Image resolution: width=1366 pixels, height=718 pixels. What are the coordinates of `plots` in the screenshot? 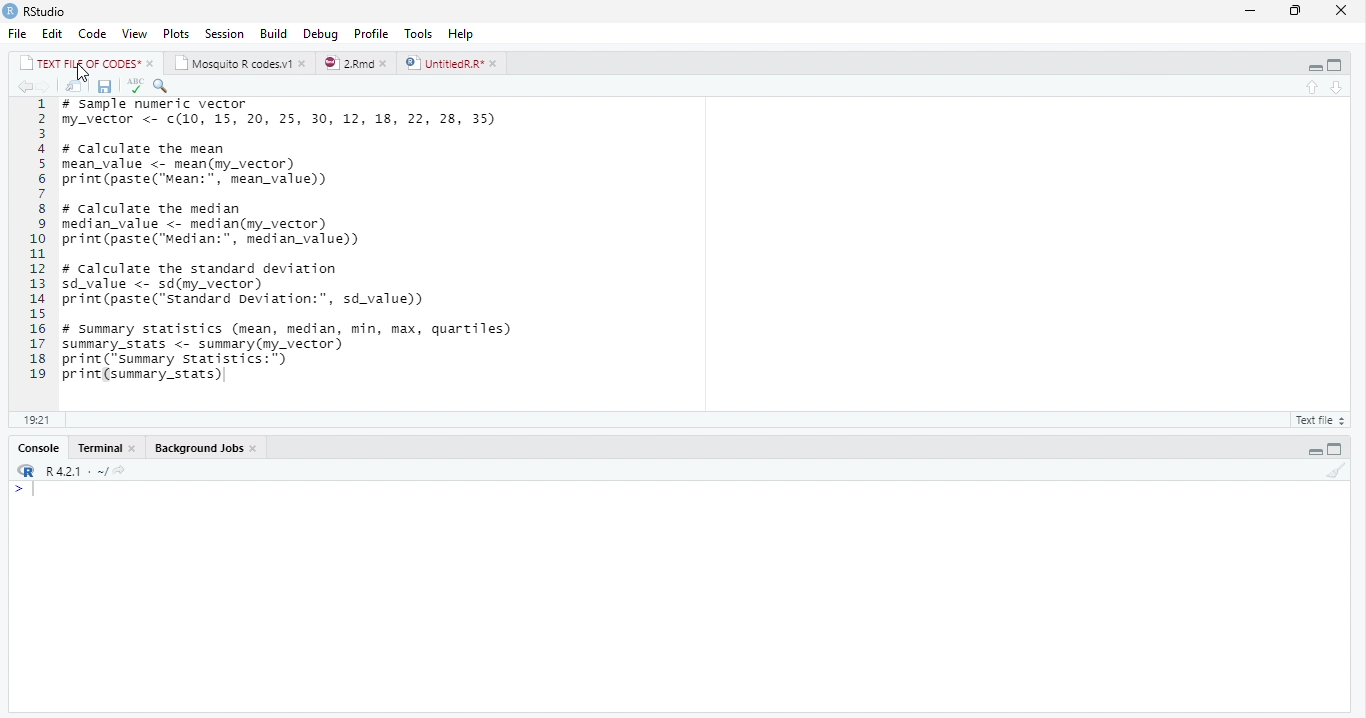 It's located at (177, 34).